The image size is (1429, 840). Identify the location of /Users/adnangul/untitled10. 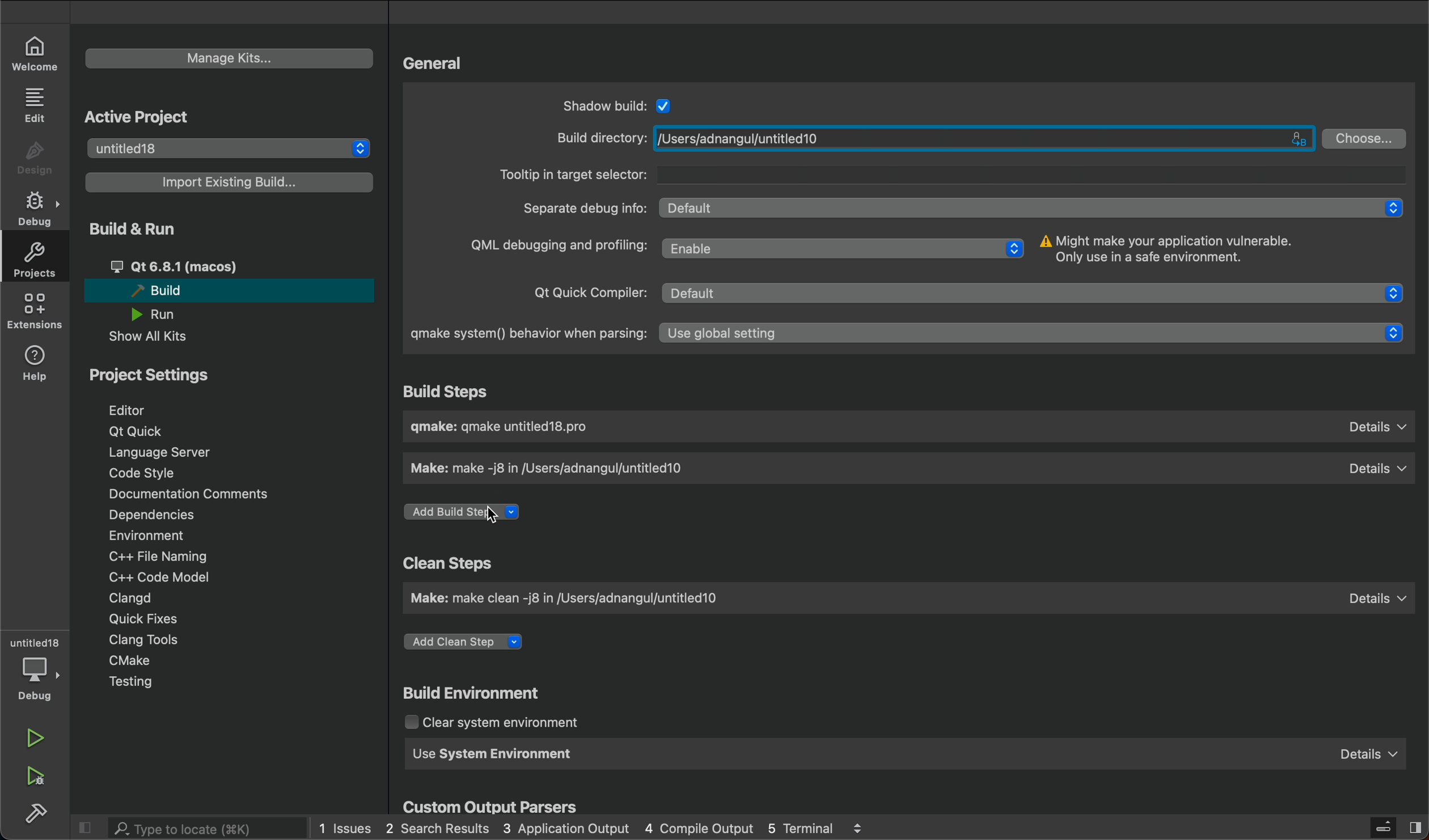
(983, 138).